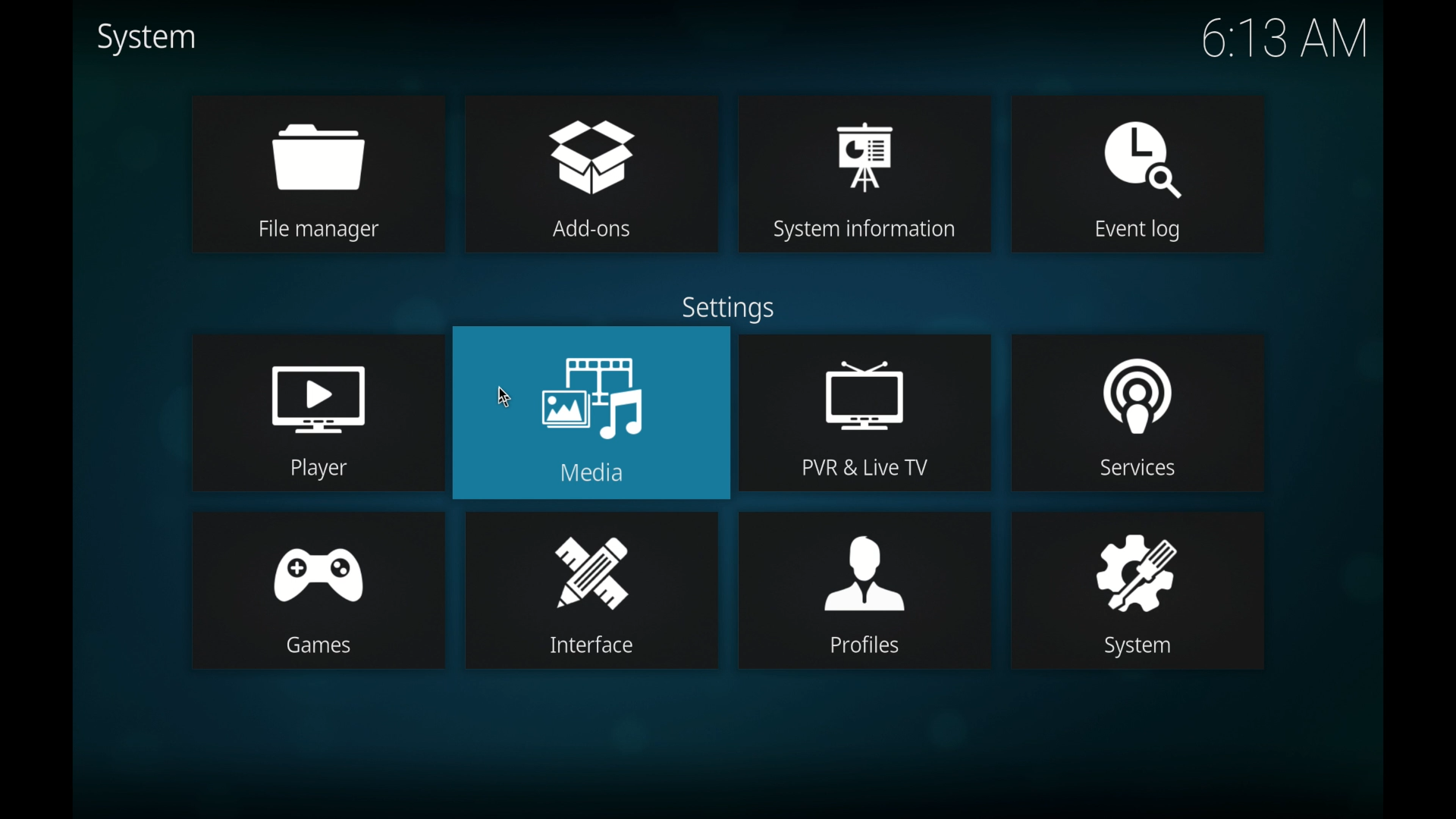  Describe the element at coordinates (317, 591) in the screenshot. I see `games` at that location.